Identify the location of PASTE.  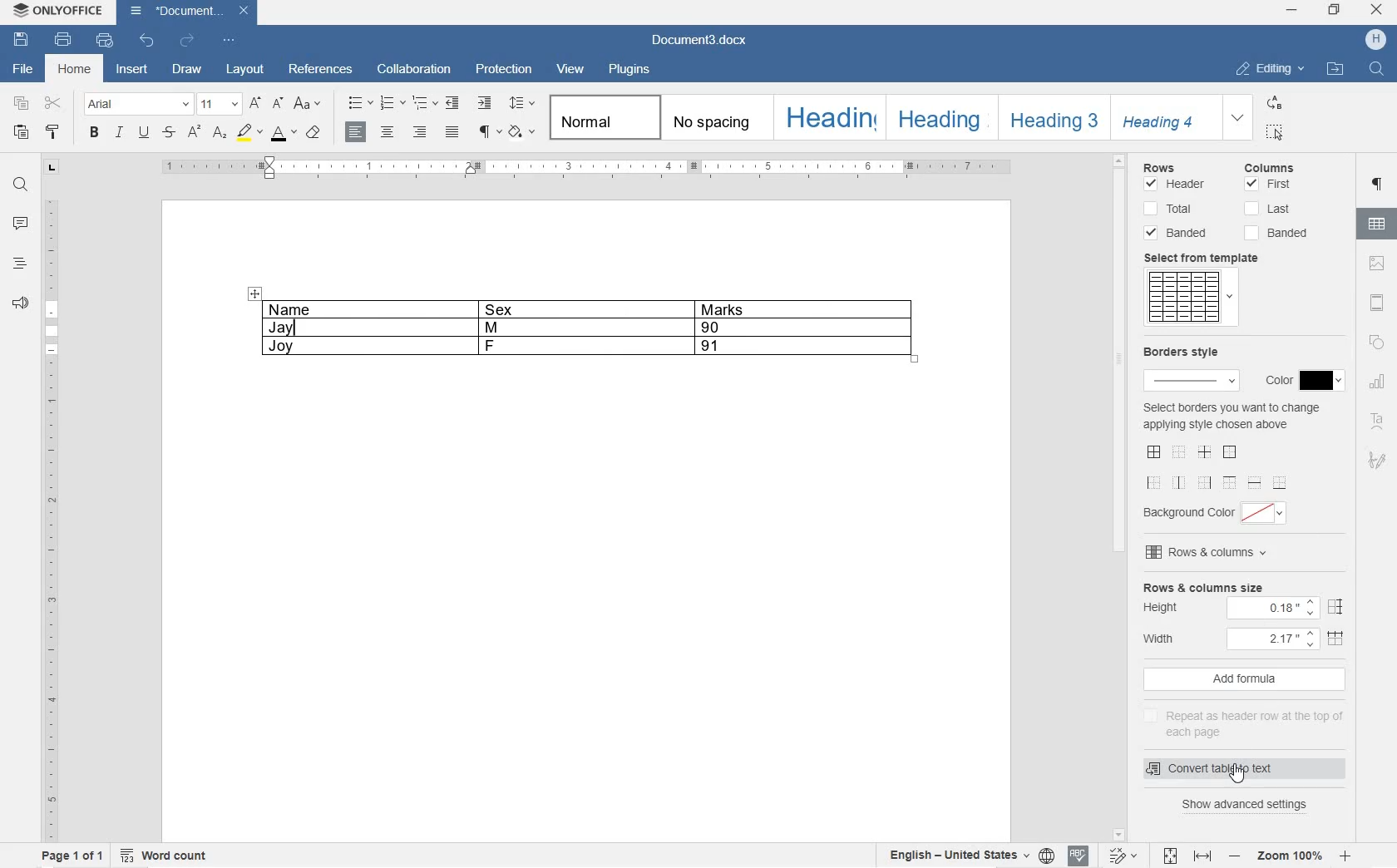
(22, 133).